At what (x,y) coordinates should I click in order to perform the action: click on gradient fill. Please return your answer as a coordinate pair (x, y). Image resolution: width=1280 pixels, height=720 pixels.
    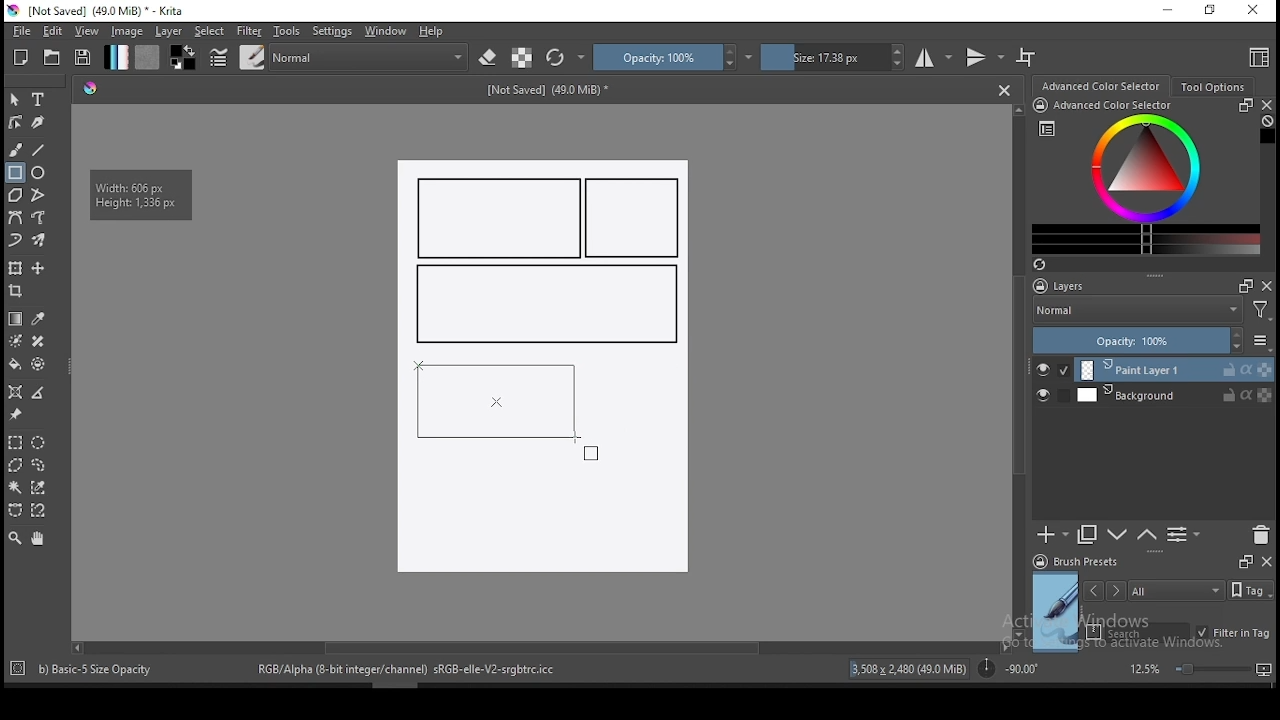
    Looking at the image, I should click on (116, 57).